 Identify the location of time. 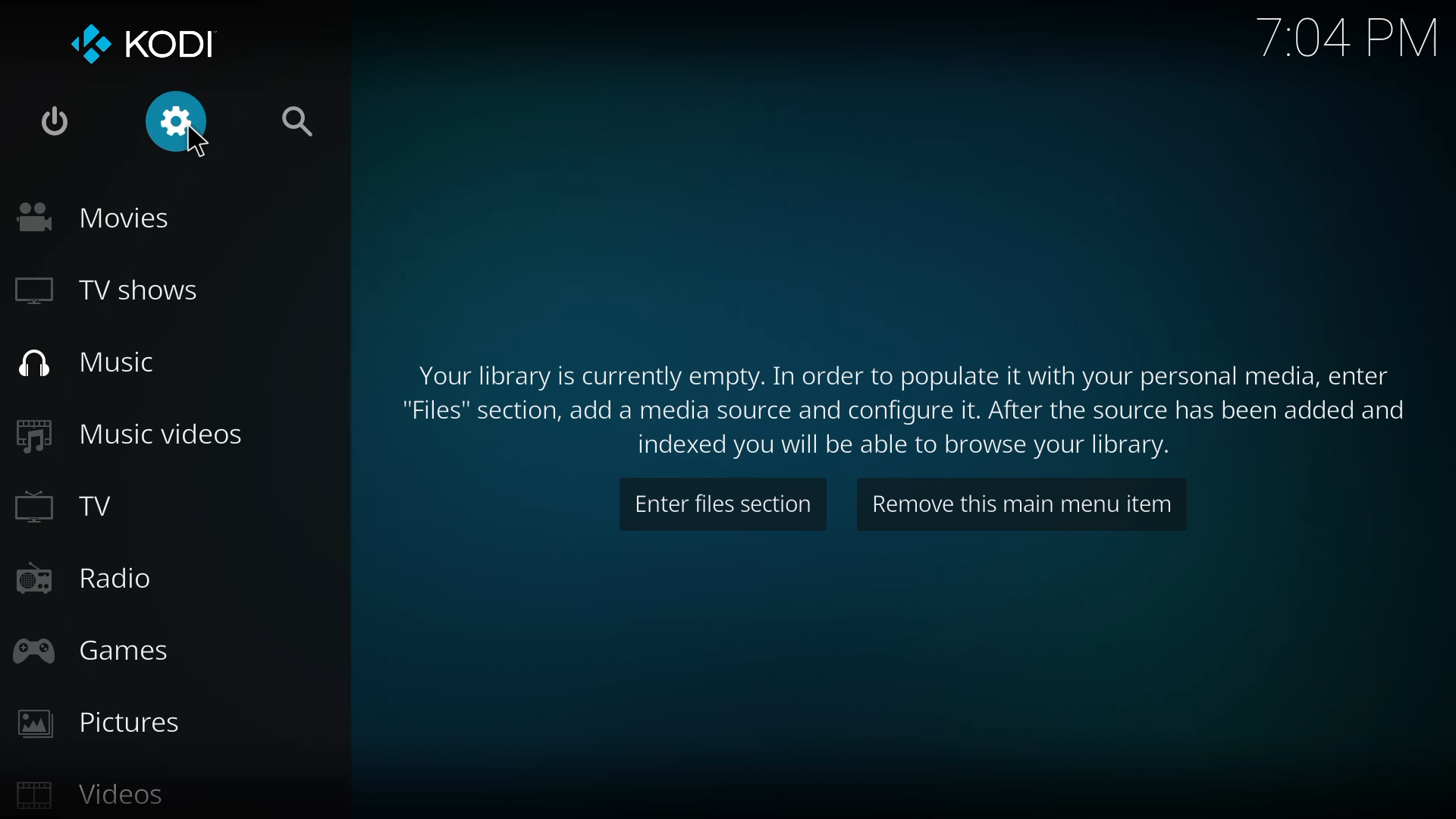
(1345, 36).